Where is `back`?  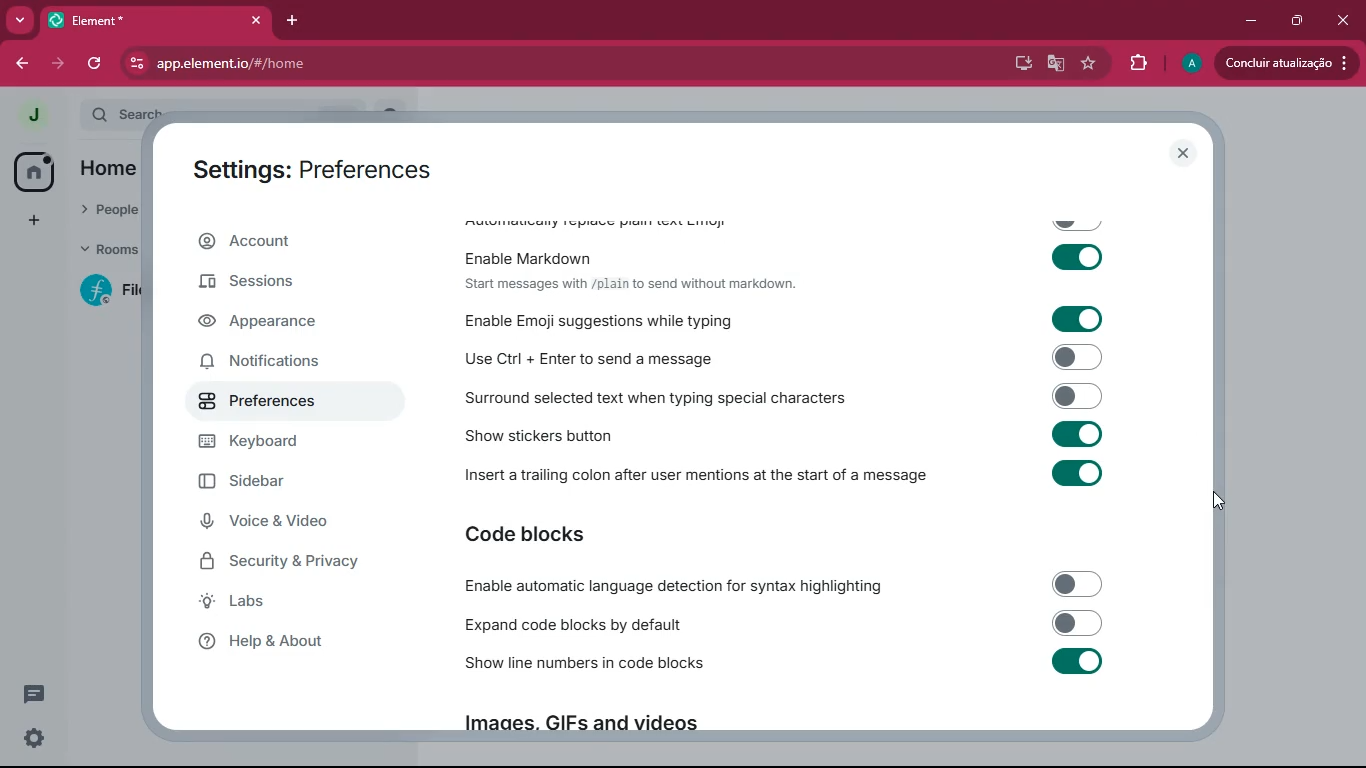 back is located at coordinates (22, 65).